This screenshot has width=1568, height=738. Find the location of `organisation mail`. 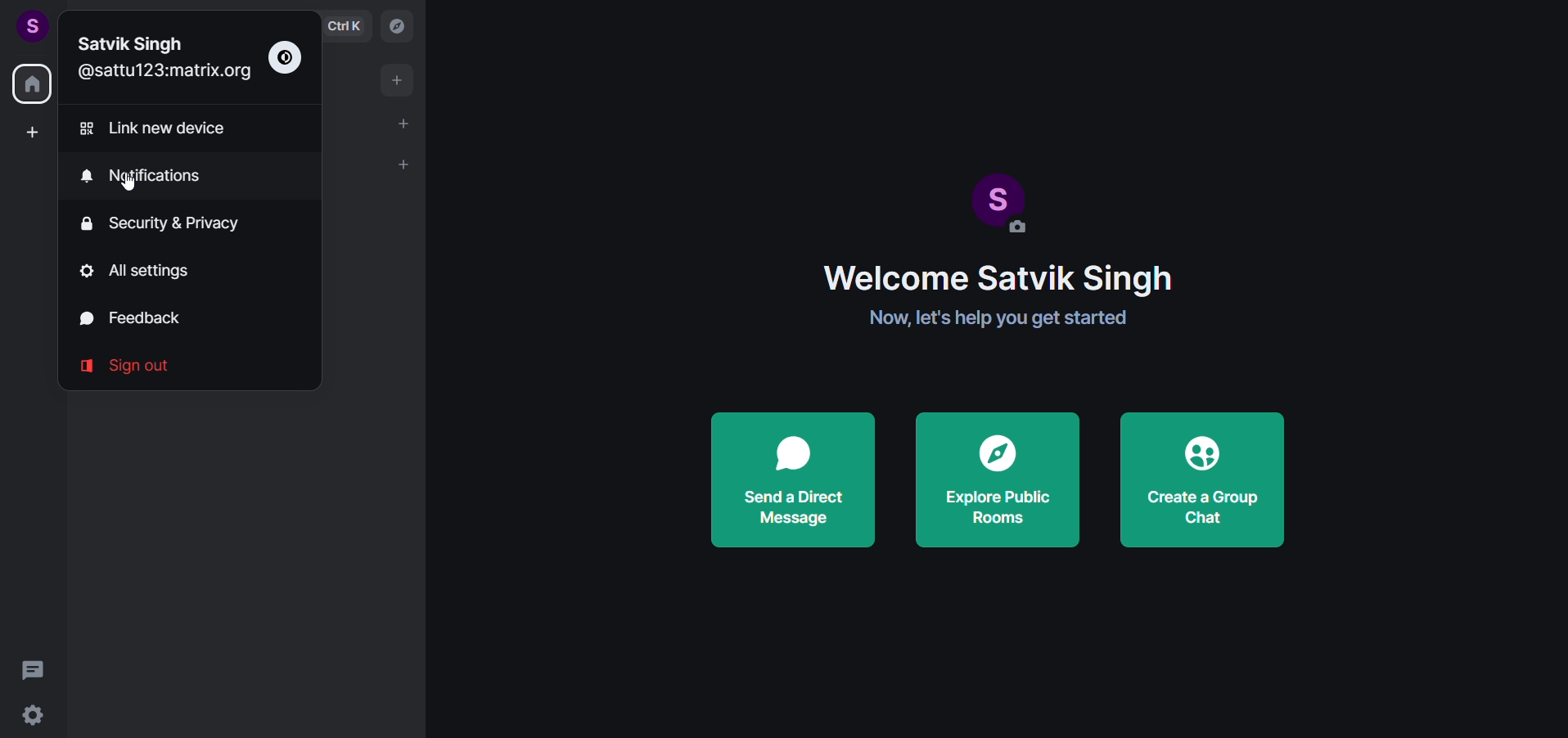

organisation mail is located at coordinates (166, 74).